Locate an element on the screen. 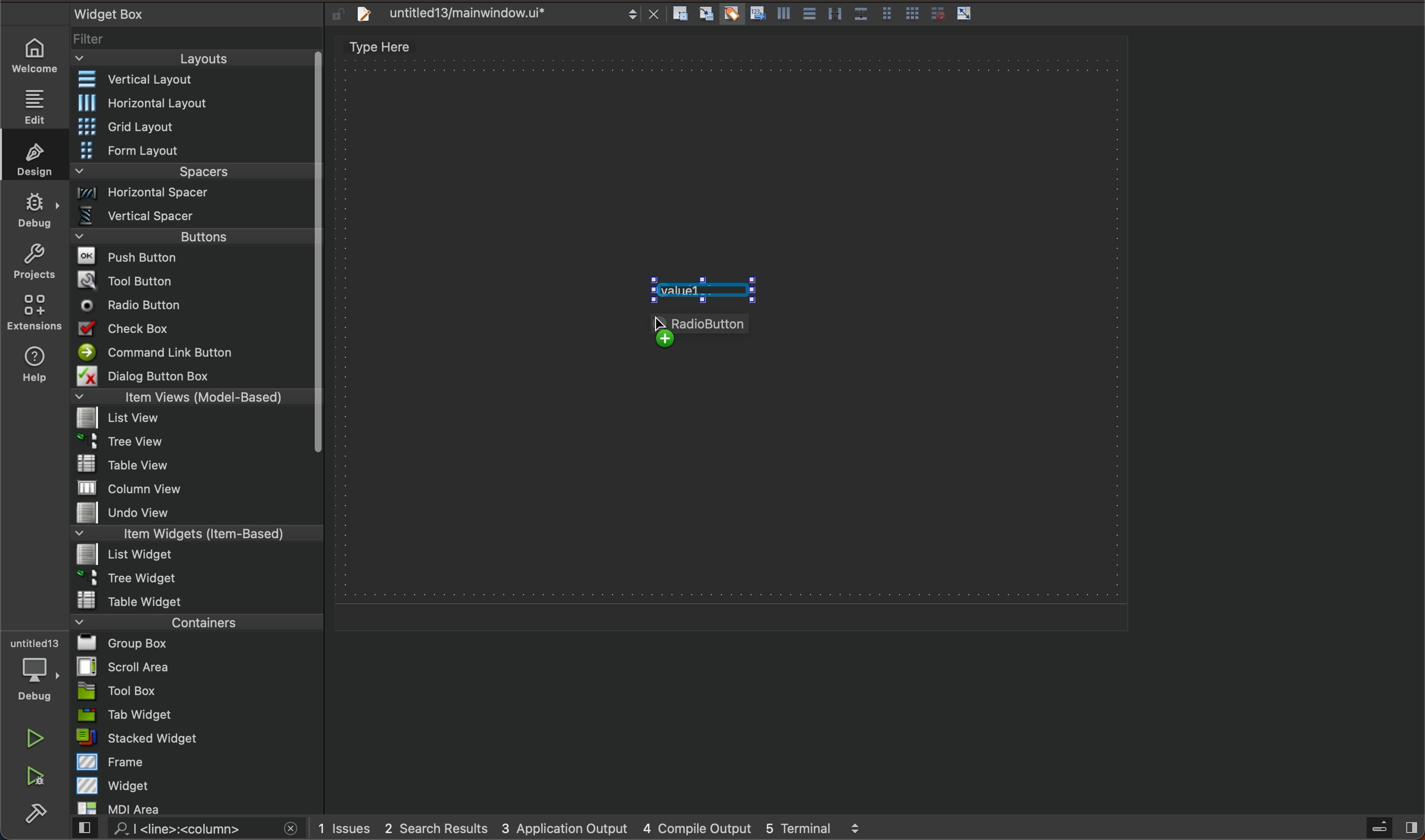 This screenshot has height=840, width=1425. widget box is located at coordinates (181, 13).